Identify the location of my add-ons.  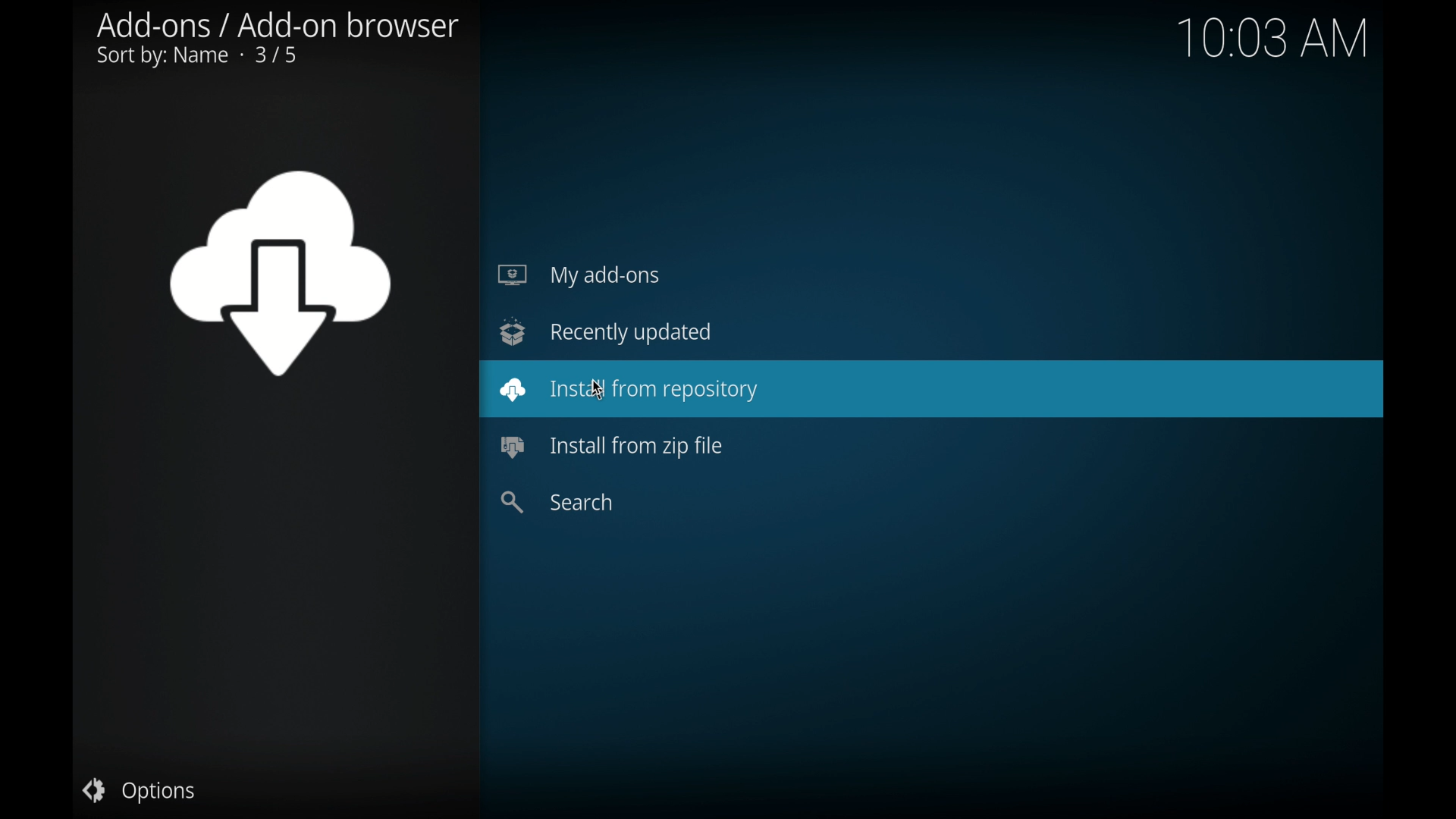
(576, 275).